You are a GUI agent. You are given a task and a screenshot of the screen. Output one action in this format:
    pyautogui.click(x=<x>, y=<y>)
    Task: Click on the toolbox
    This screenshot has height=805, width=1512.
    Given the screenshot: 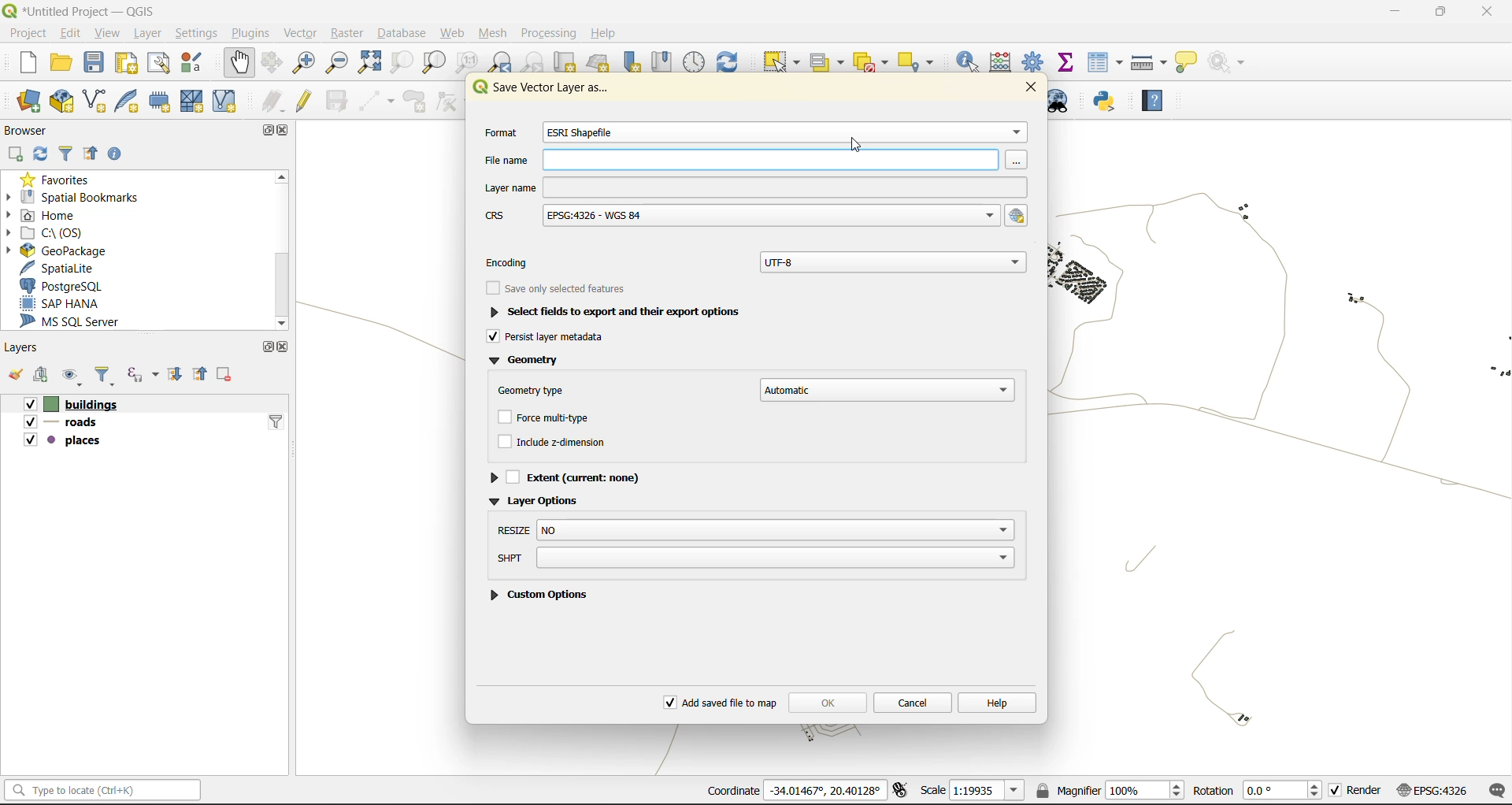 What is the action you would take?
    pyautogui.click(x=1034, y=64)
    